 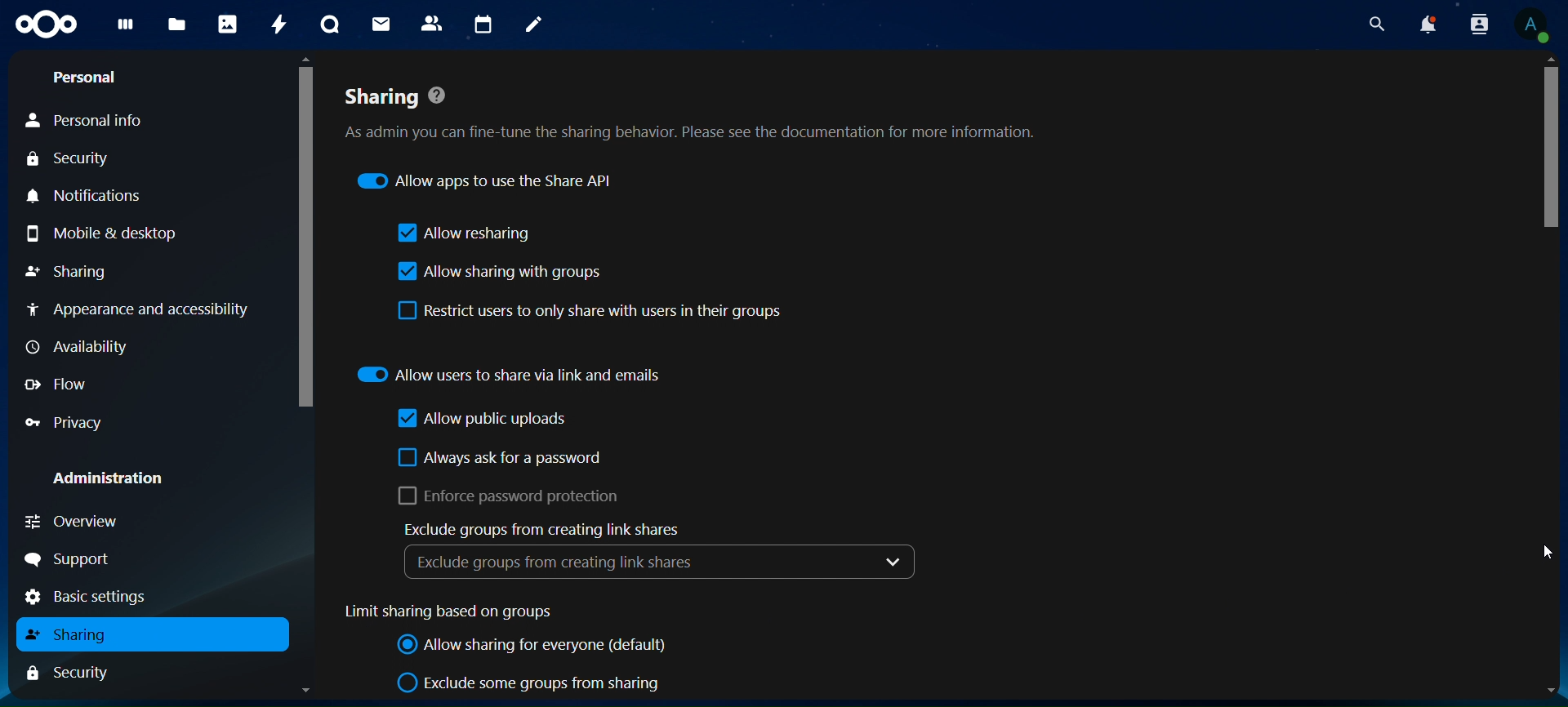 I want to click on basic settings, so click(x=101, y=596).